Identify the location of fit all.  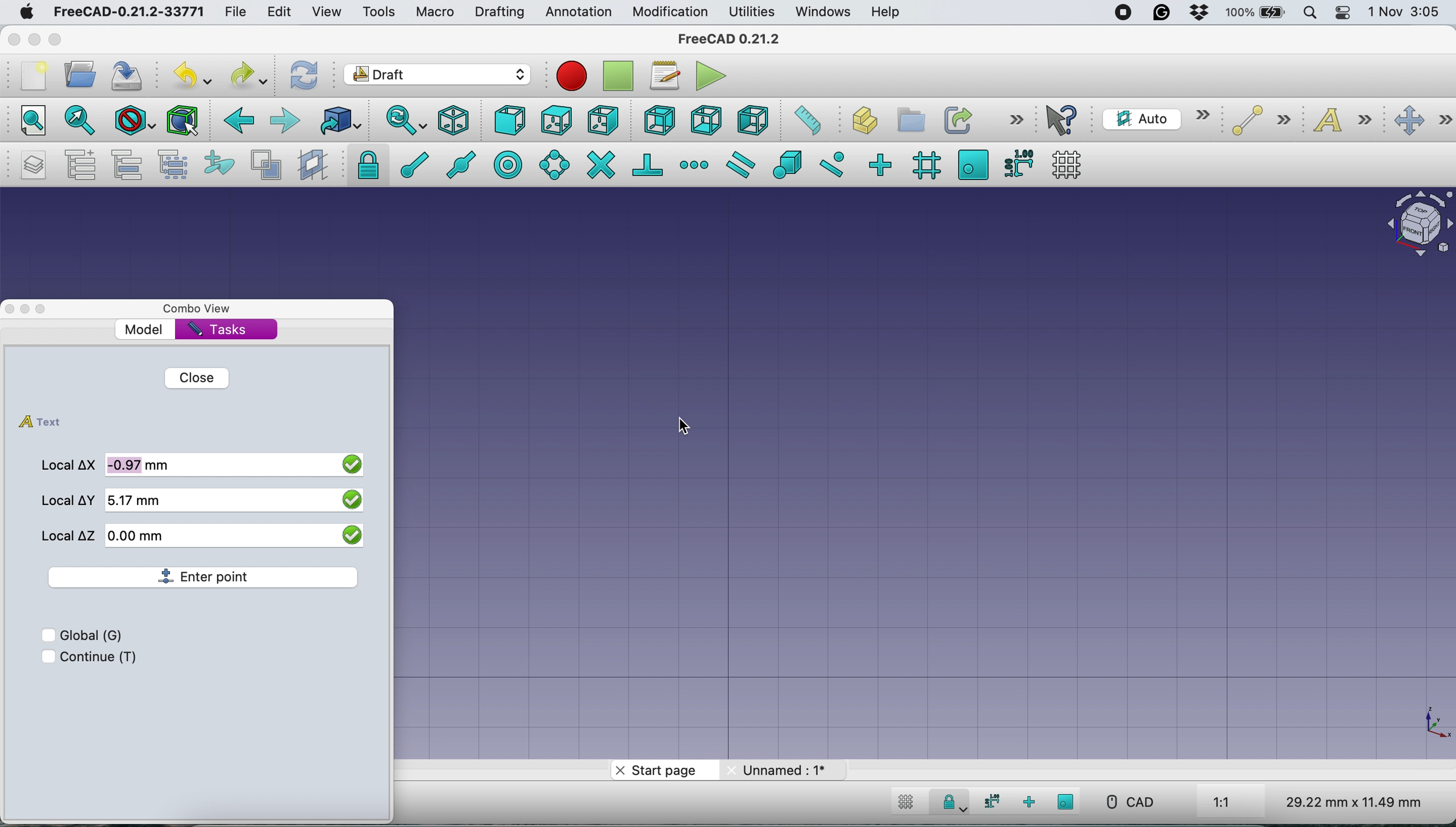
(33, 120).